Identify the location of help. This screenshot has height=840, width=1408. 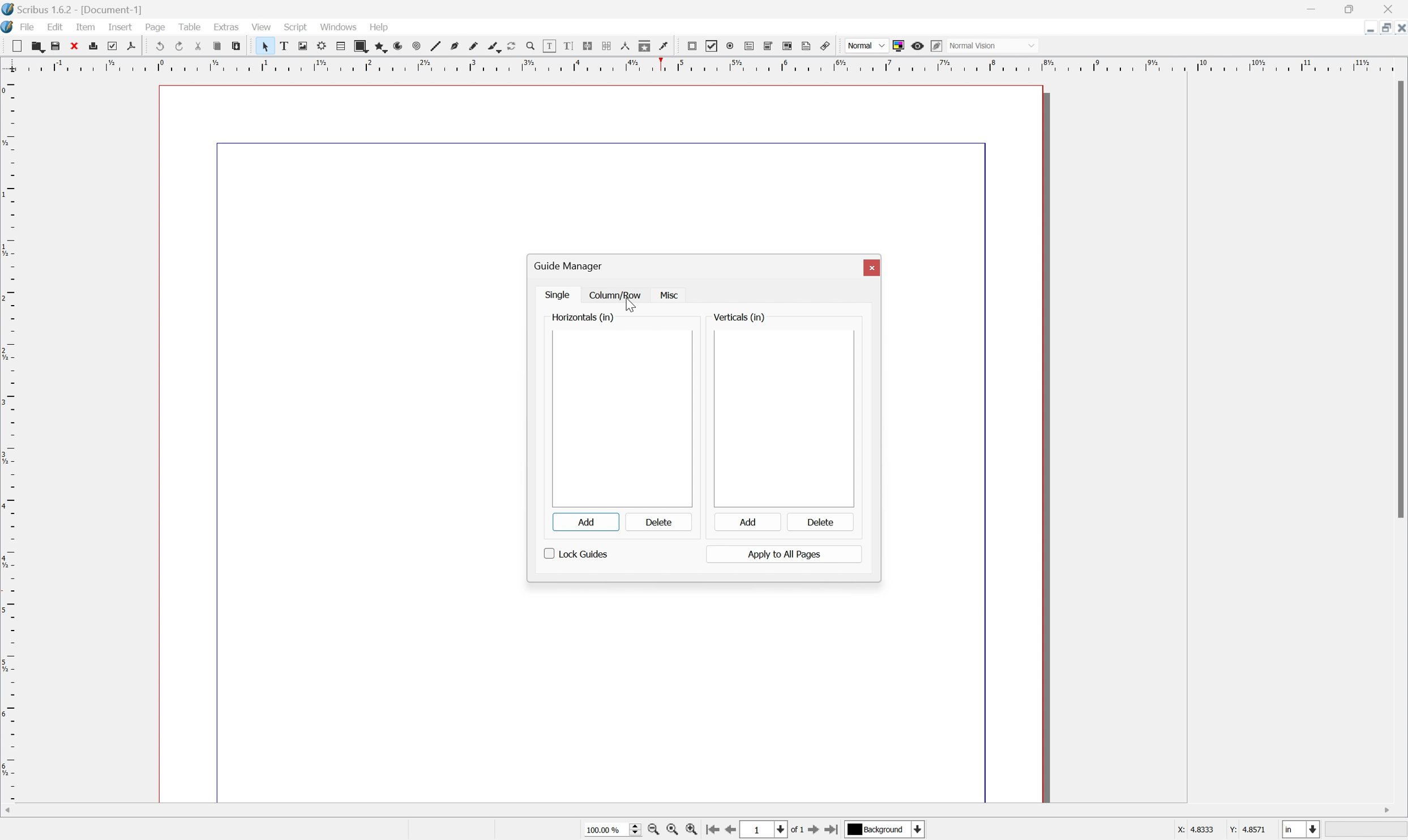
(379, 27).